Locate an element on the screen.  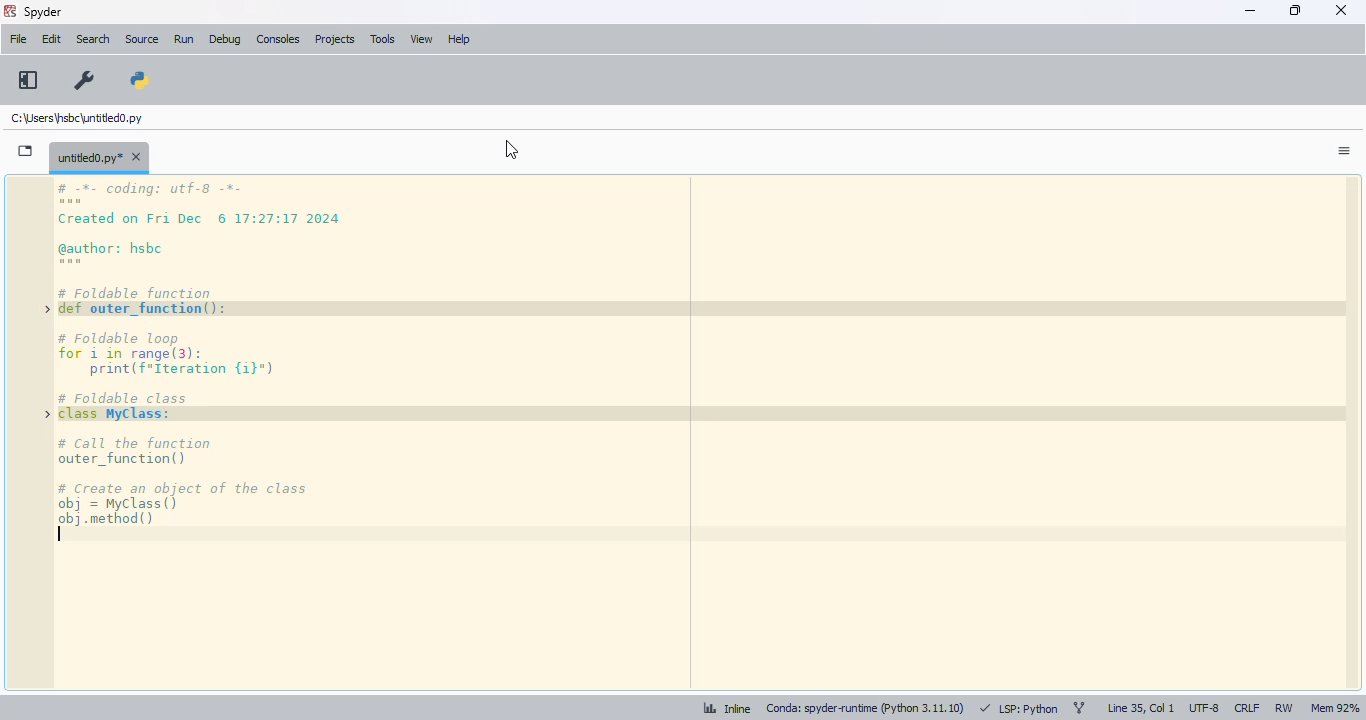
RW is located at coordinates (1283, 708).